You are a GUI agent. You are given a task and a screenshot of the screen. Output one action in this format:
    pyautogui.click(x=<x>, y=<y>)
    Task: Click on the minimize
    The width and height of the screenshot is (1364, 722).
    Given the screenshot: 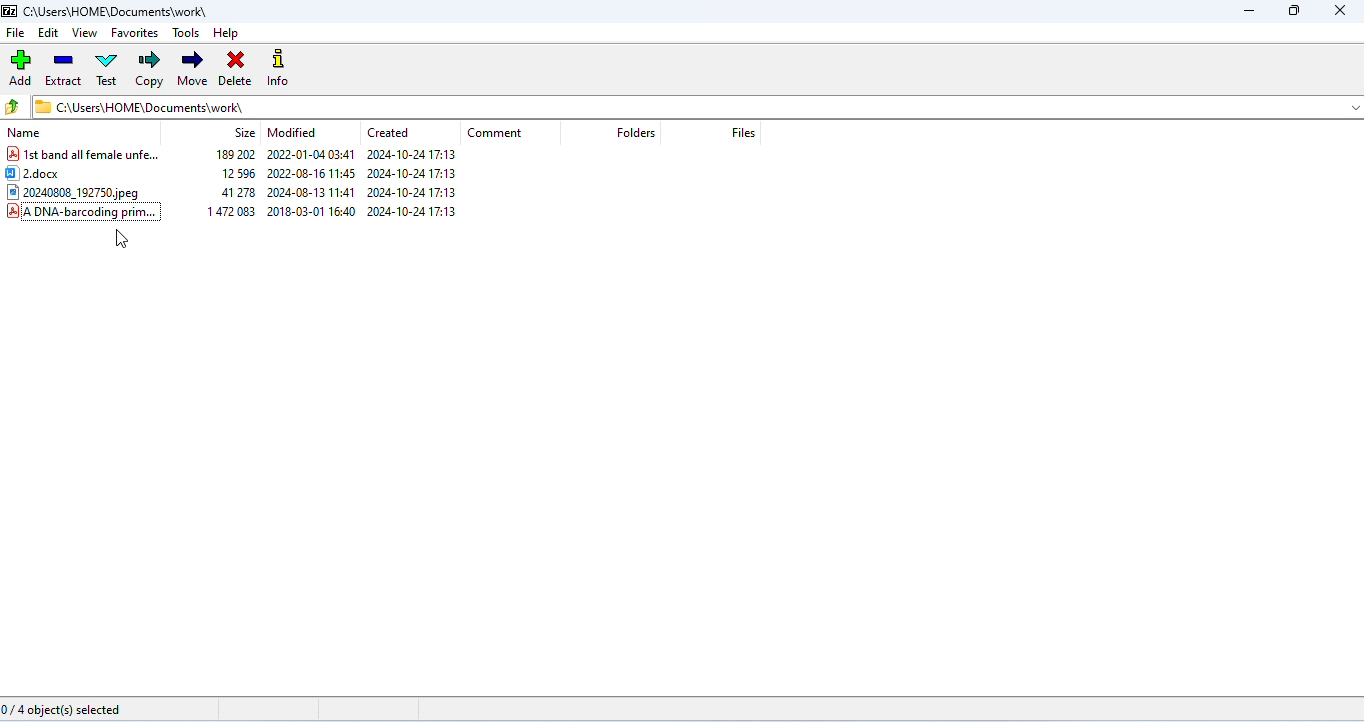 What is the action you would take?
    pyautogui.click(x=1247, y=12)
    